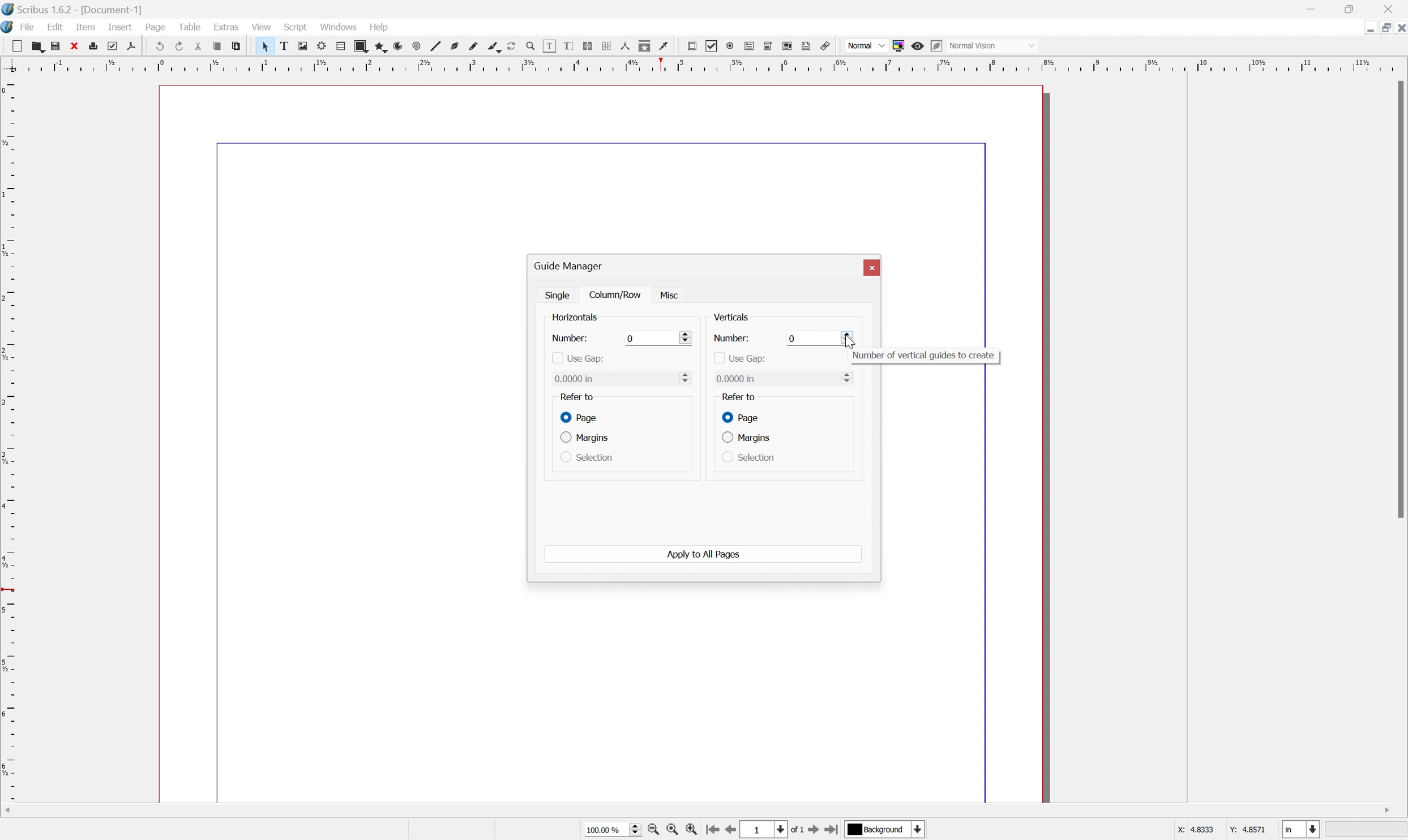 The image size is (1408, 840). Describe the element at coordinates (872, 268) in the screenshot. I see `Close` at that location.